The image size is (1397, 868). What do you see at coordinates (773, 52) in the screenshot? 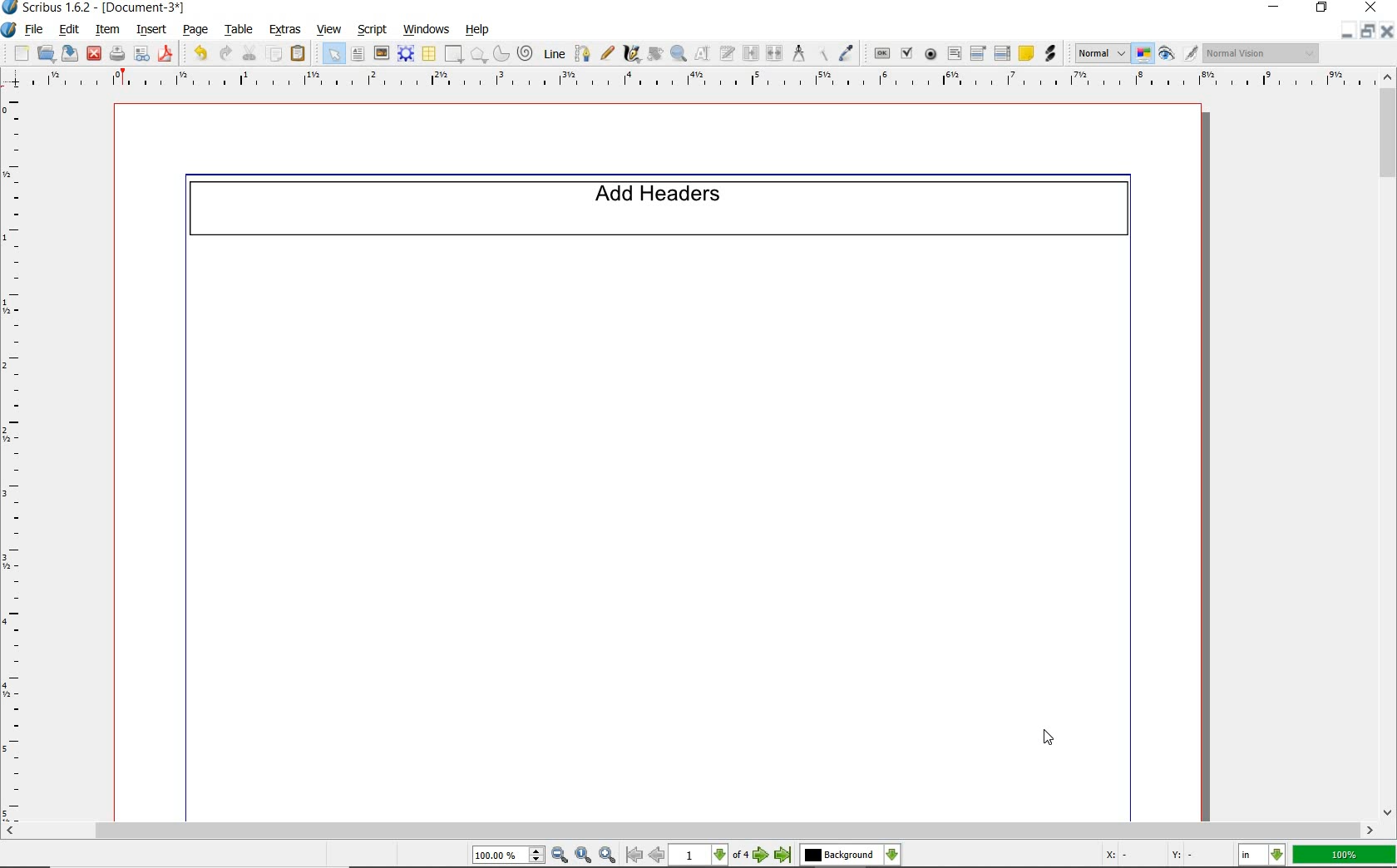
I see `unlink text frames` at bounding box center [773, 52].